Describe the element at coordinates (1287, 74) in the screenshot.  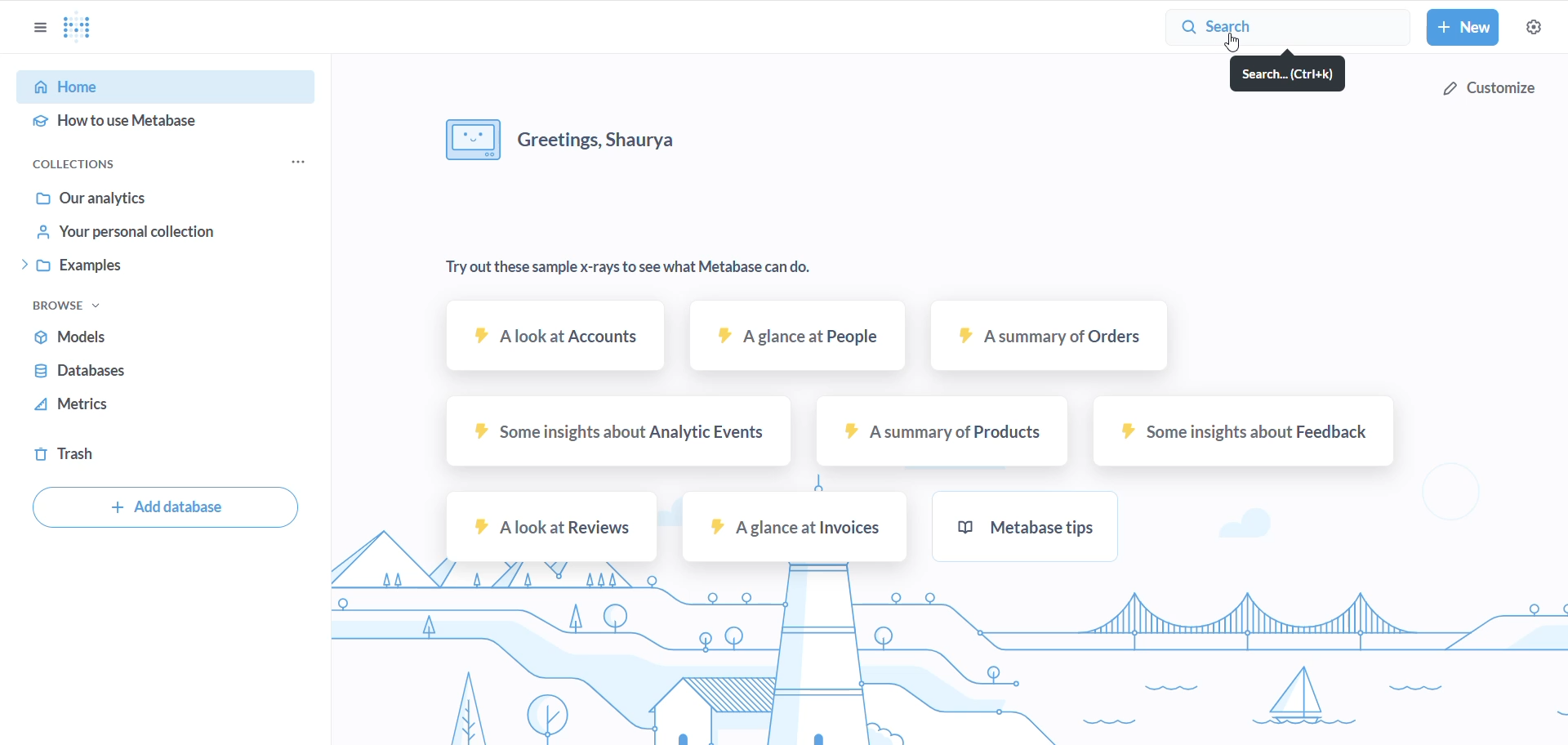
I see `search` at that location.